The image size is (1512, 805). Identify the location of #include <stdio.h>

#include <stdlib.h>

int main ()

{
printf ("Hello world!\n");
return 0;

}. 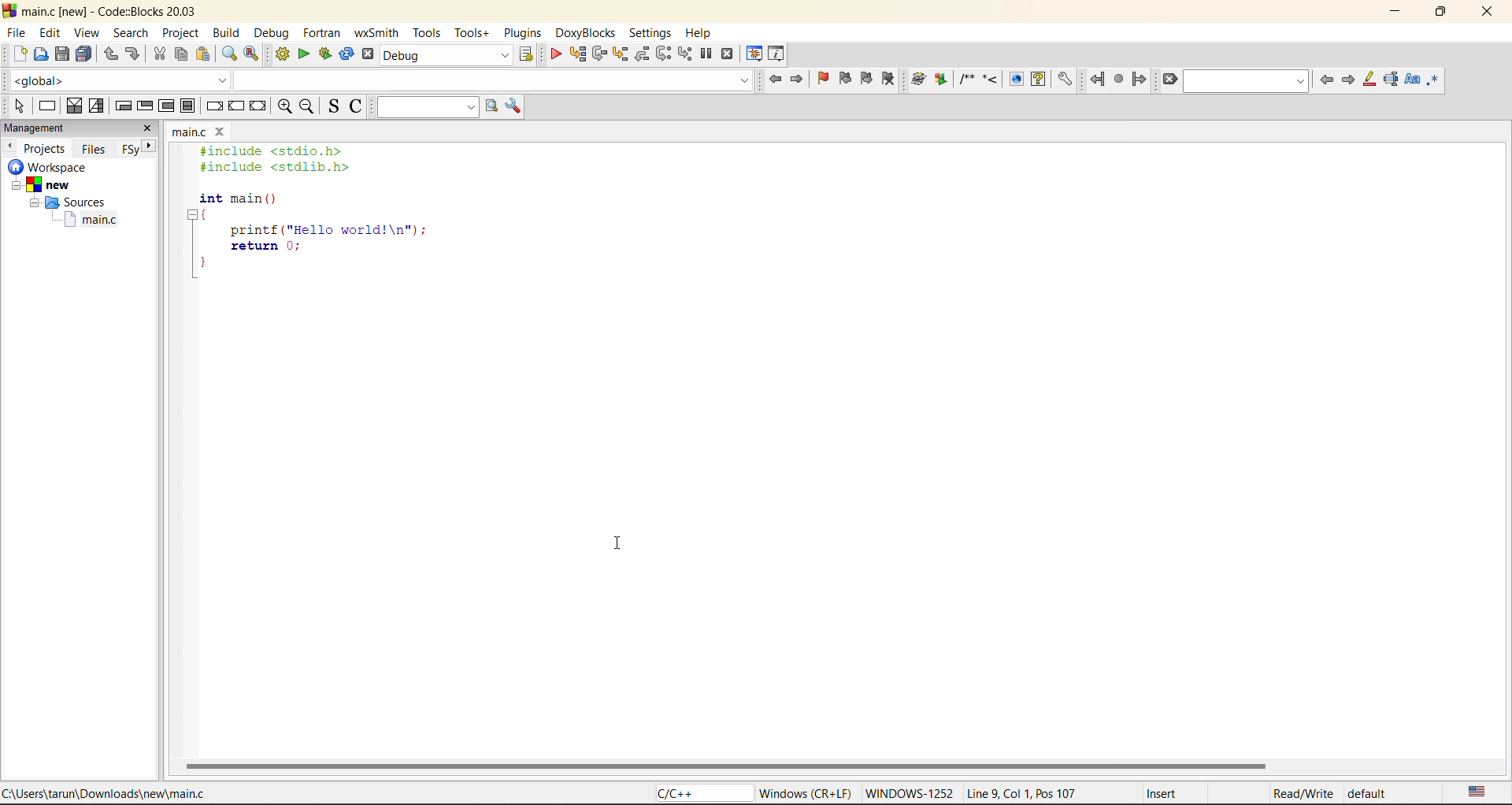
(319, 217).